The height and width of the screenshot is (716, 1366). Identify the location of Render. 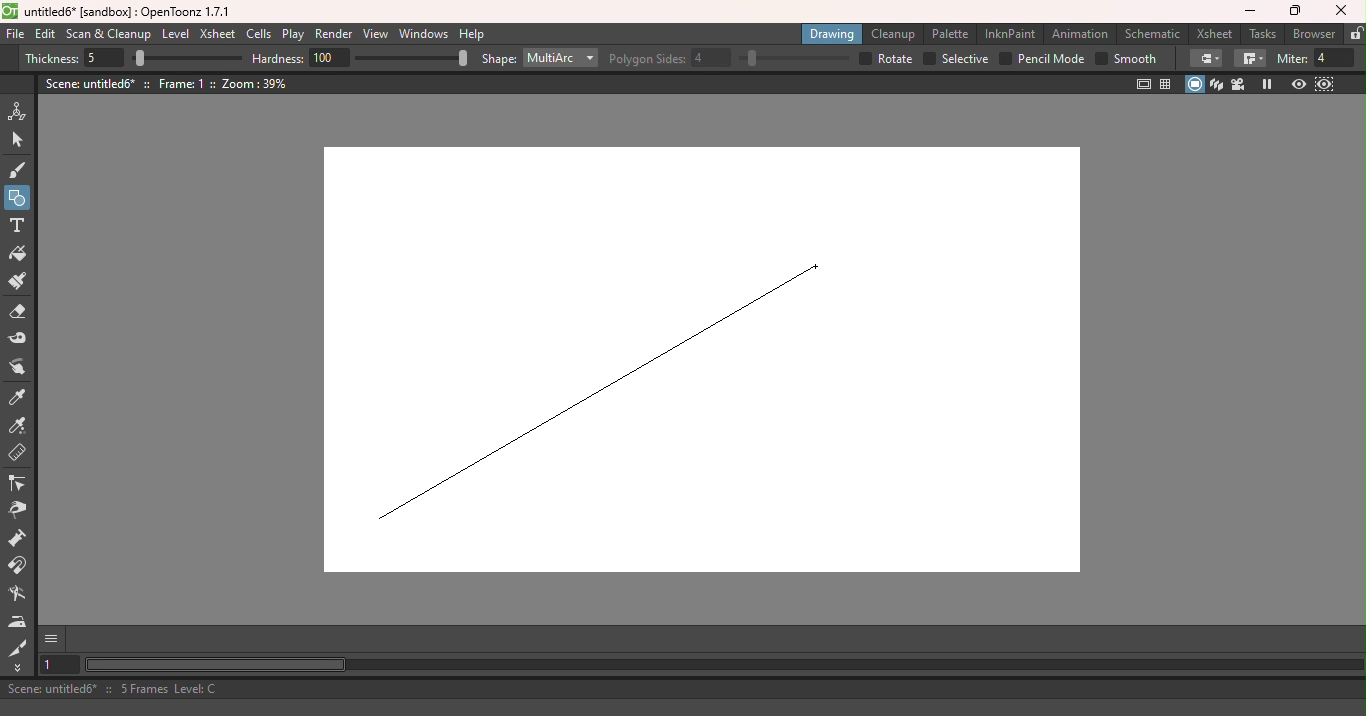
(335, 35).